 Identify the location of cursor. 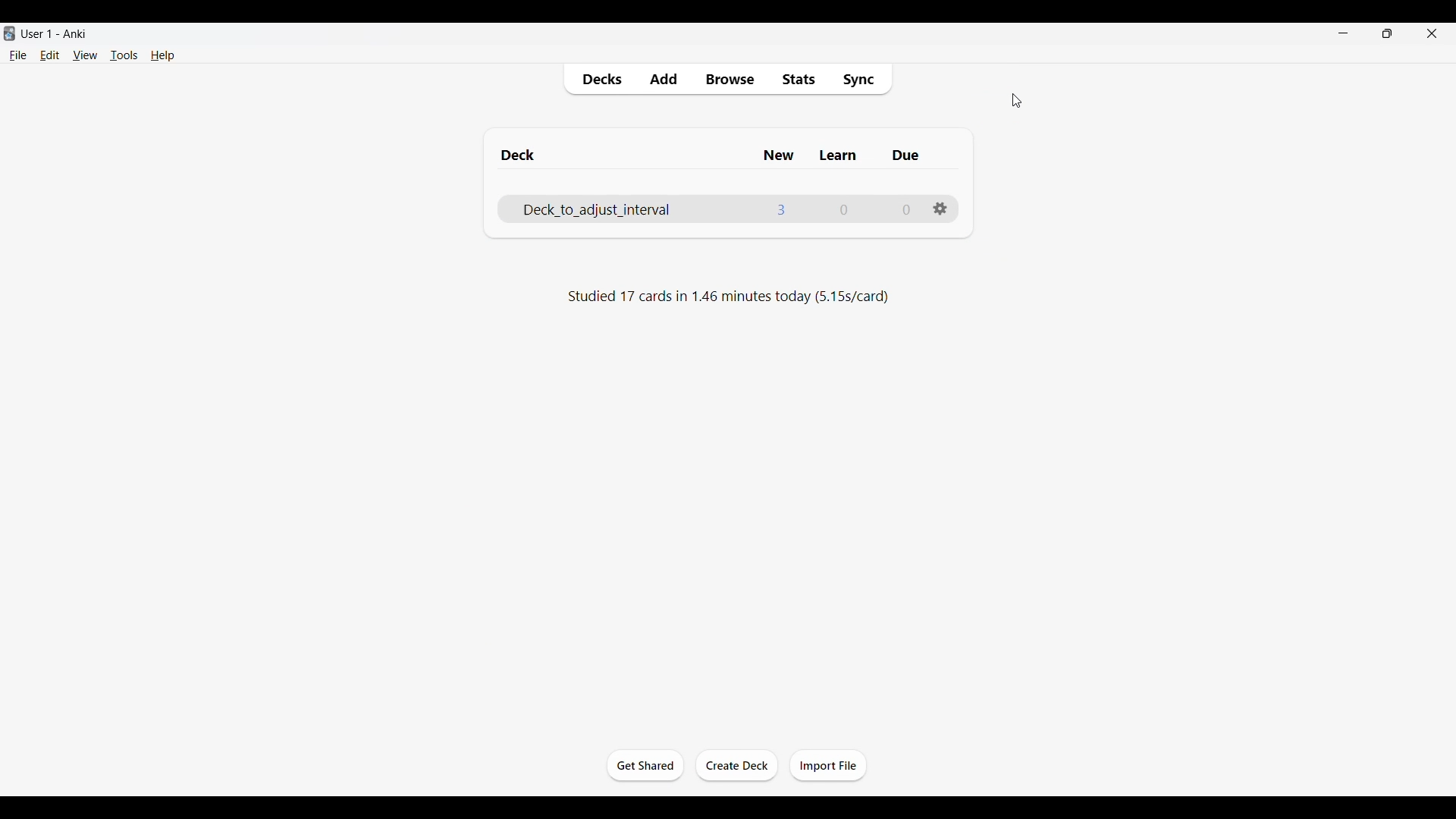
(1018, 102).